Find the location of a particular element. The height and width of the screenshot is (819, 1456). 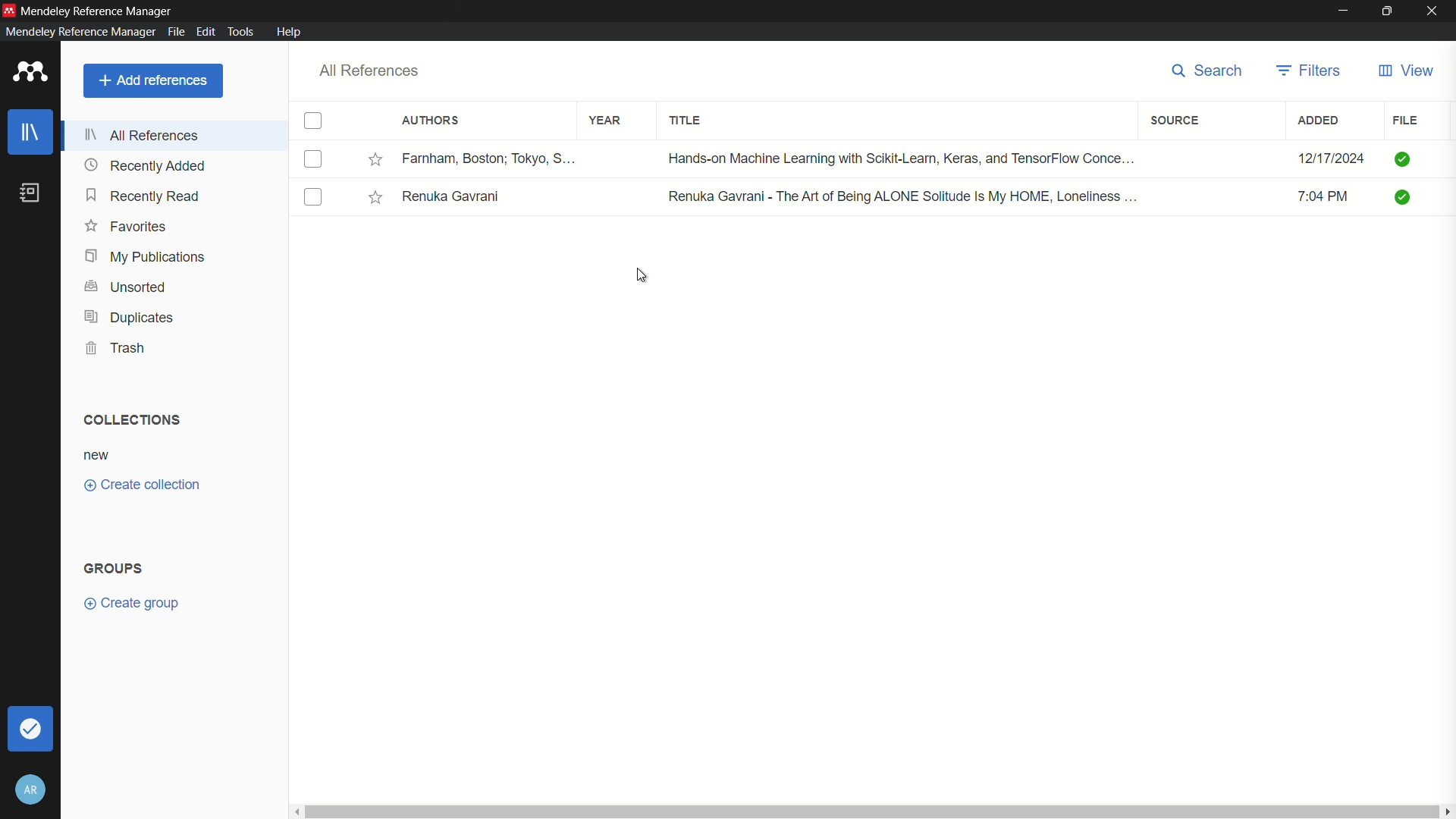

all references is located at coordinates (140, 135).